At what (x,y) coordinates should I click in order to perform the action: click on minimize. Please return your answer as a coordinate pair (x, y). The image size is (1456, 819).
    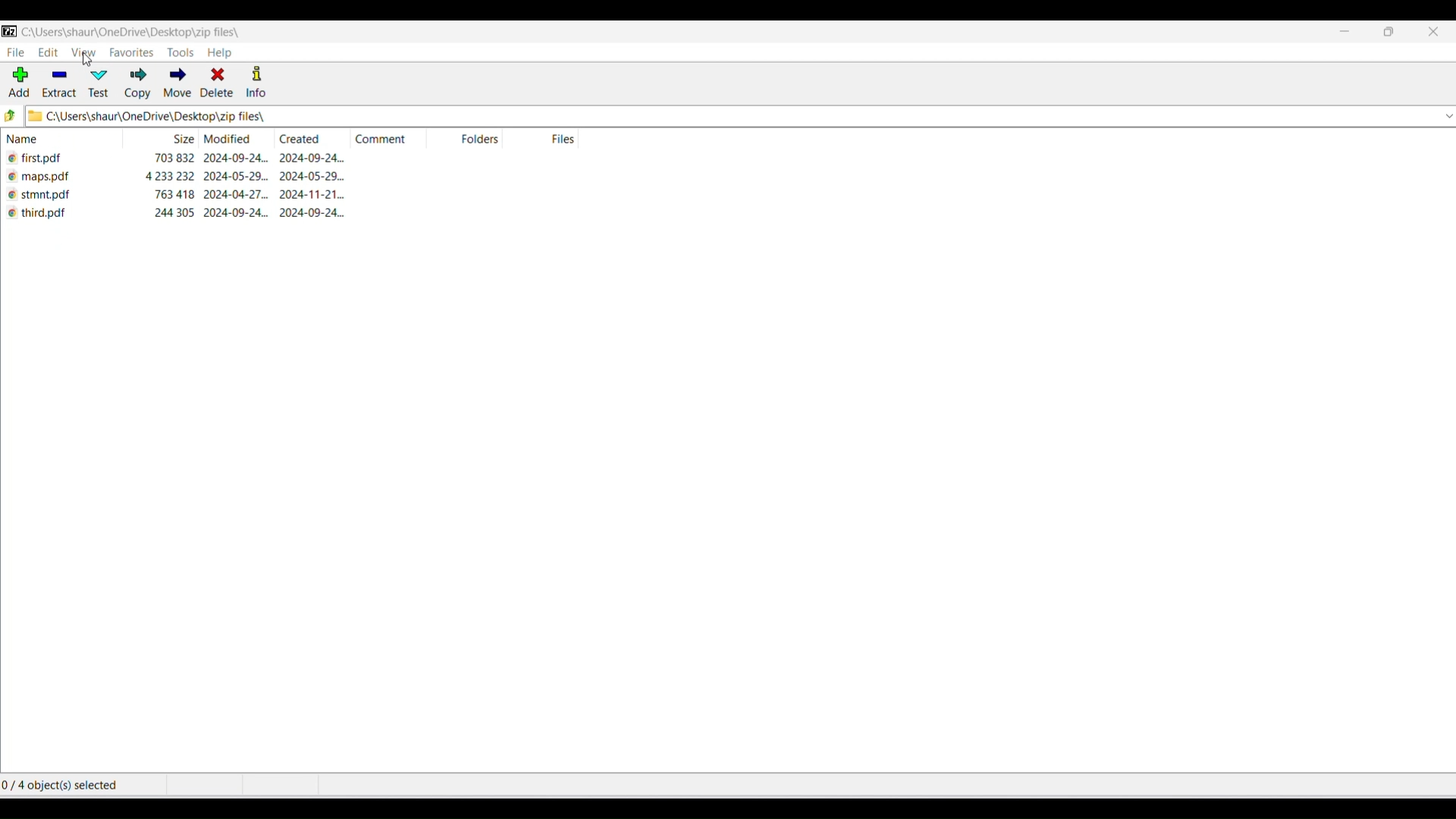
    Looking at the image, I should click on (1344, 33).